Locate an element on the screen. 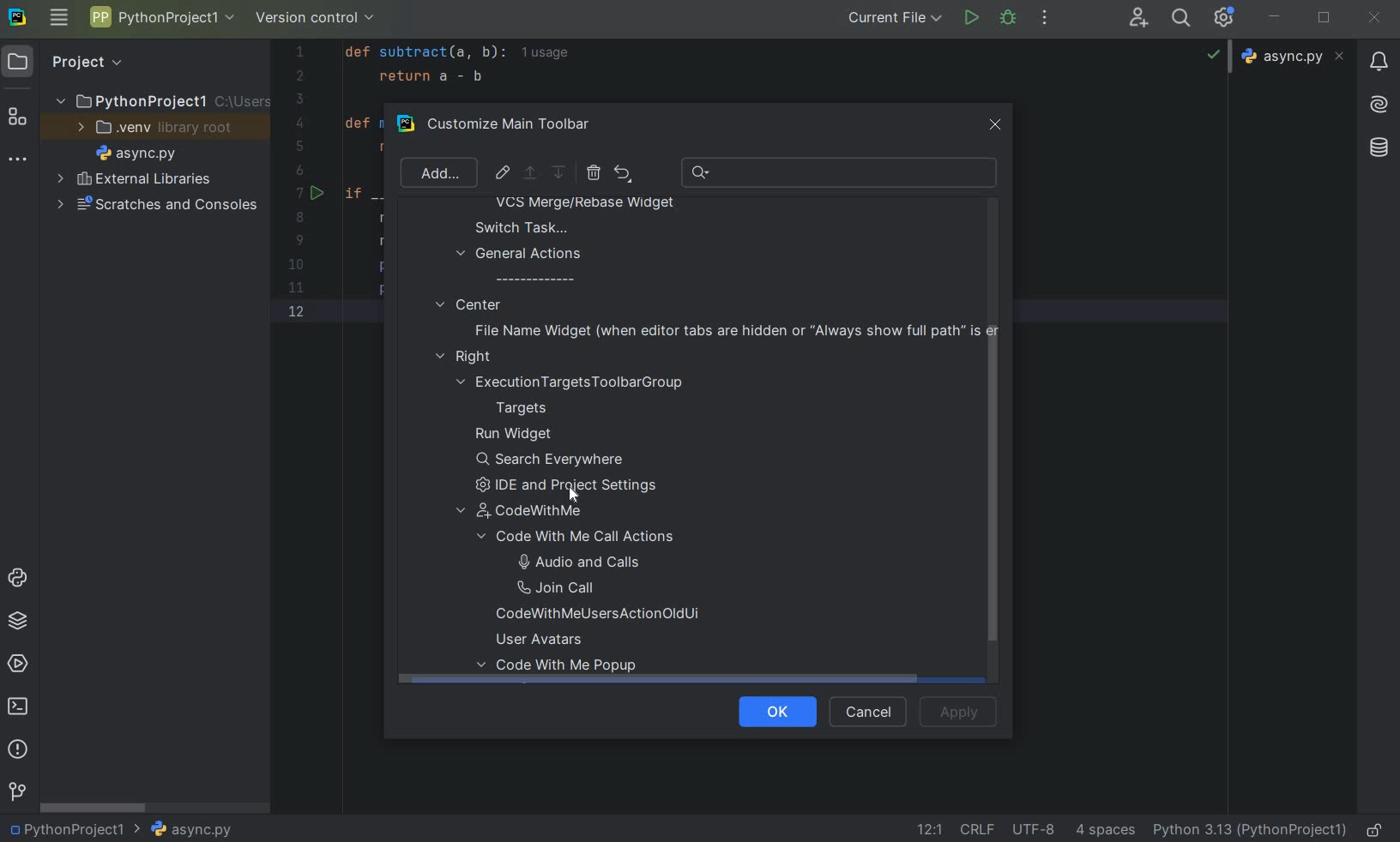 The height and width of the screenshot is (842, 1400). SYSTEM LOGO is located at coordinates (19, 18).